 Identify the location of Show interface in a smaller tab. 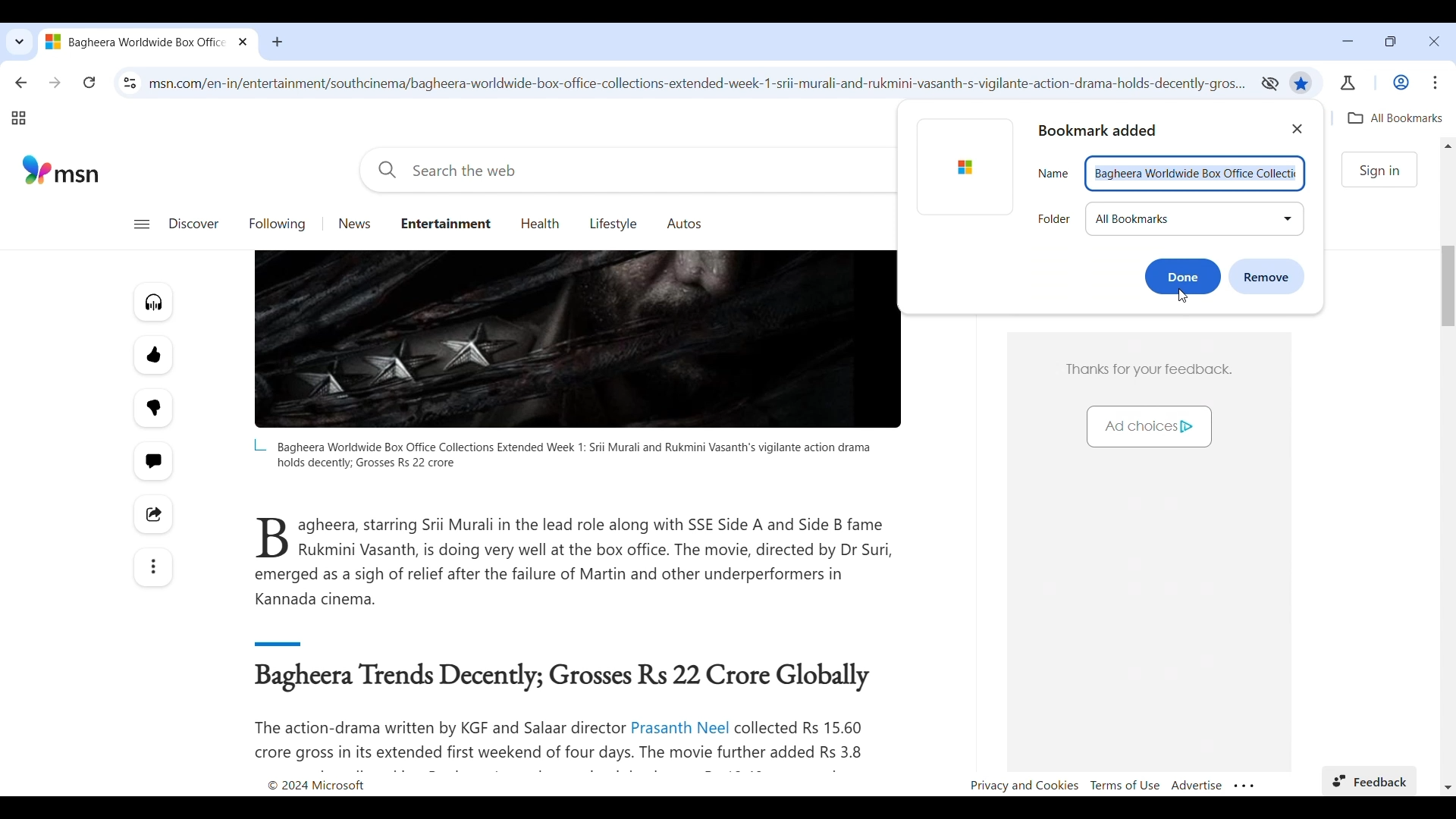
(1391, 41).